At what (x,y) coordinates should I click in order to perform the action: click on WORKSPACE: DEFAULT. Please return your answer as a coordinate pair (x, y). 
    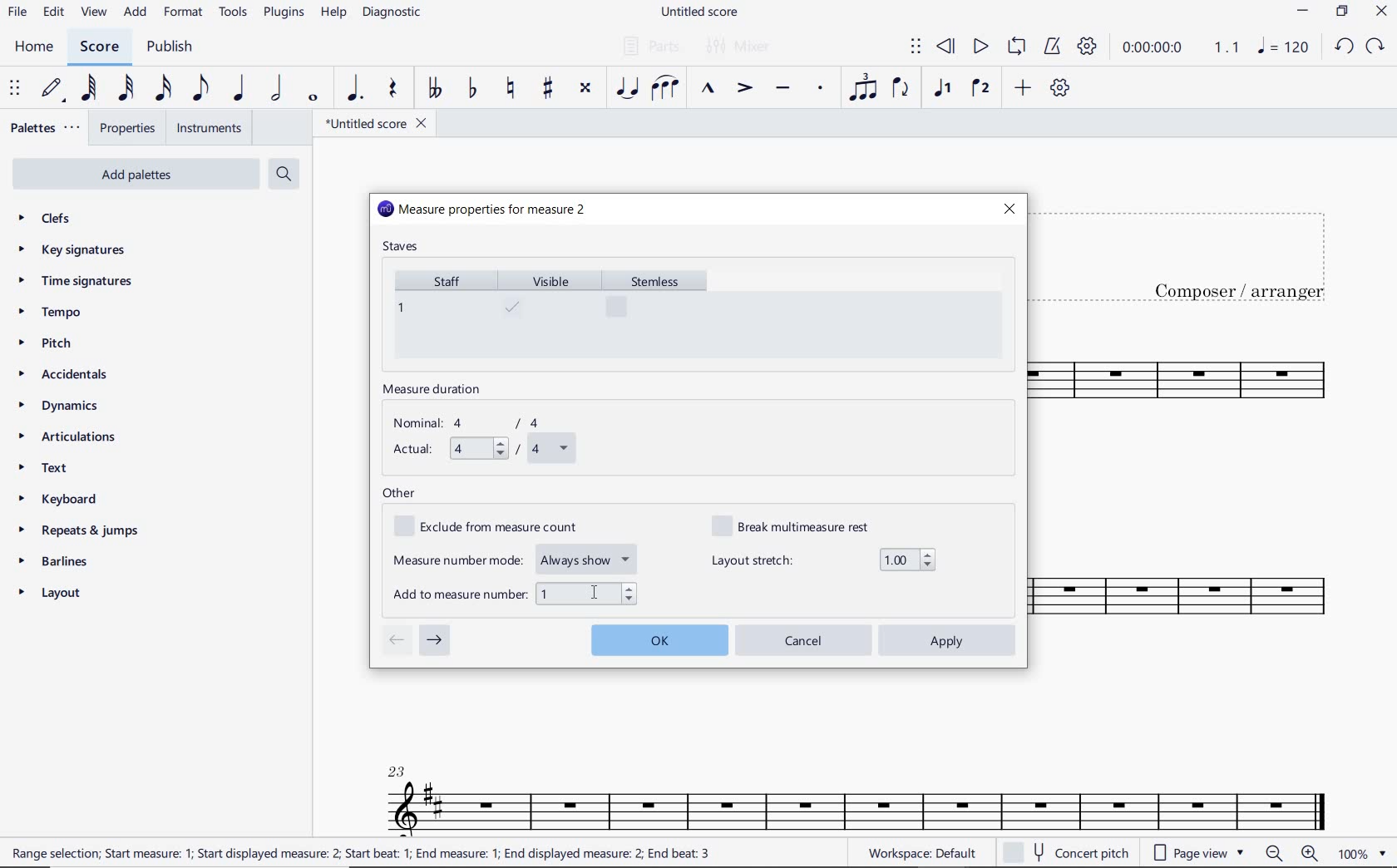
    Looking at the image, I should click on (919, 852).